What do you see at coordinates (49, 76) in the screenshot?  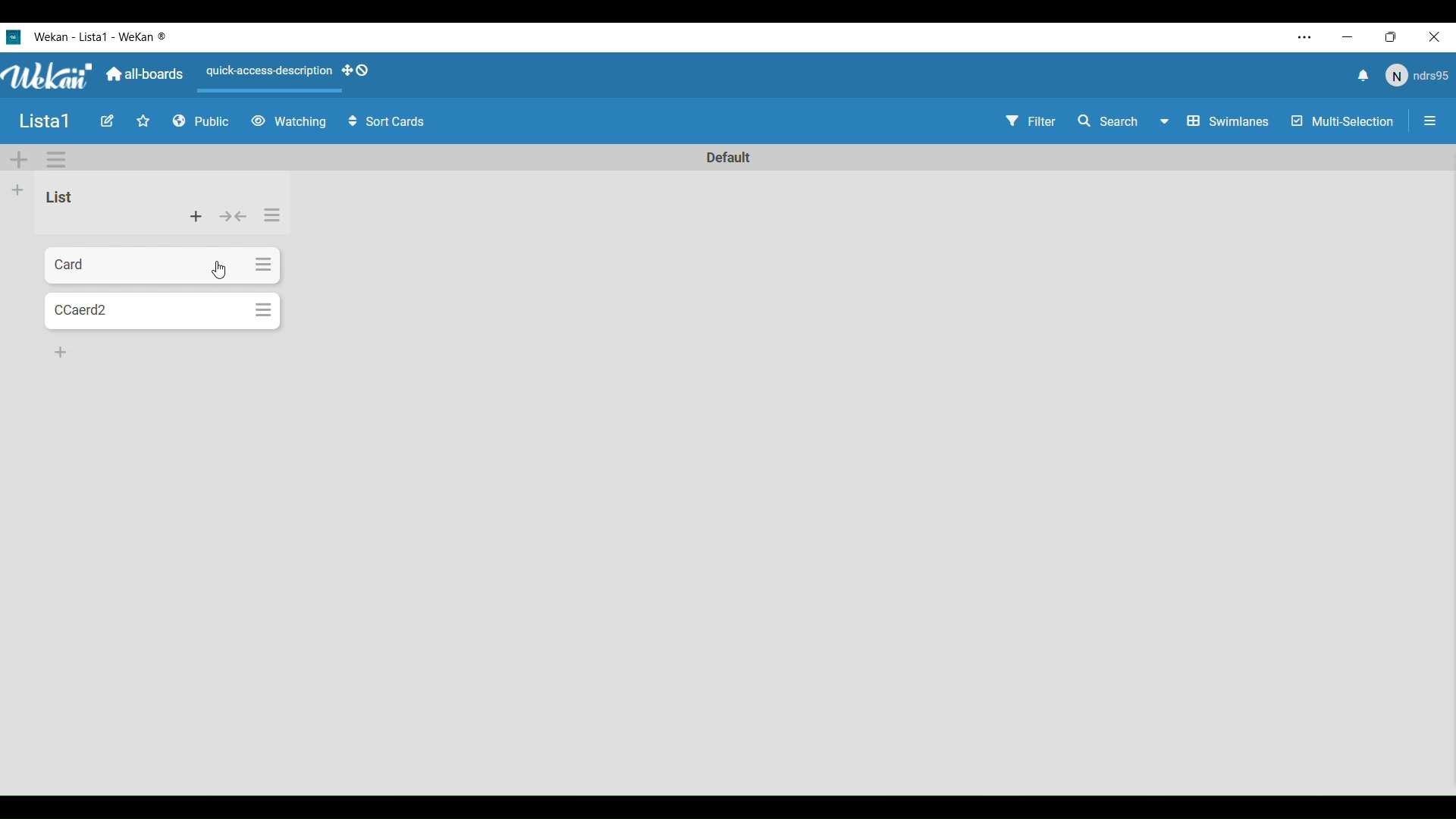 I see `WeKan` at bounding box center [49, 76].